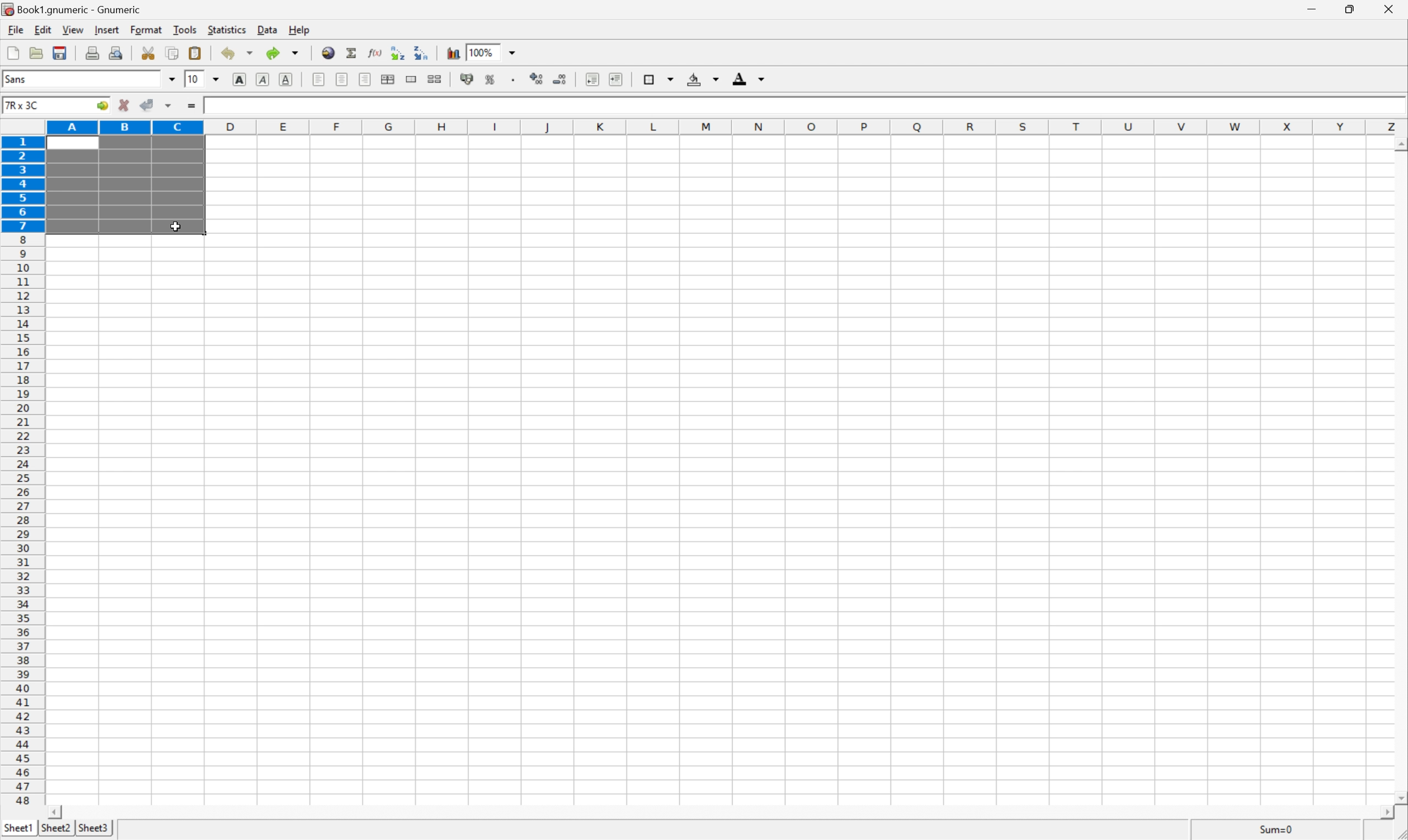 The width and height of the screenshot is (1408, 840). Describe the element at coordinates (749, 78) in the screenshot. I see `foreground color` at that location.